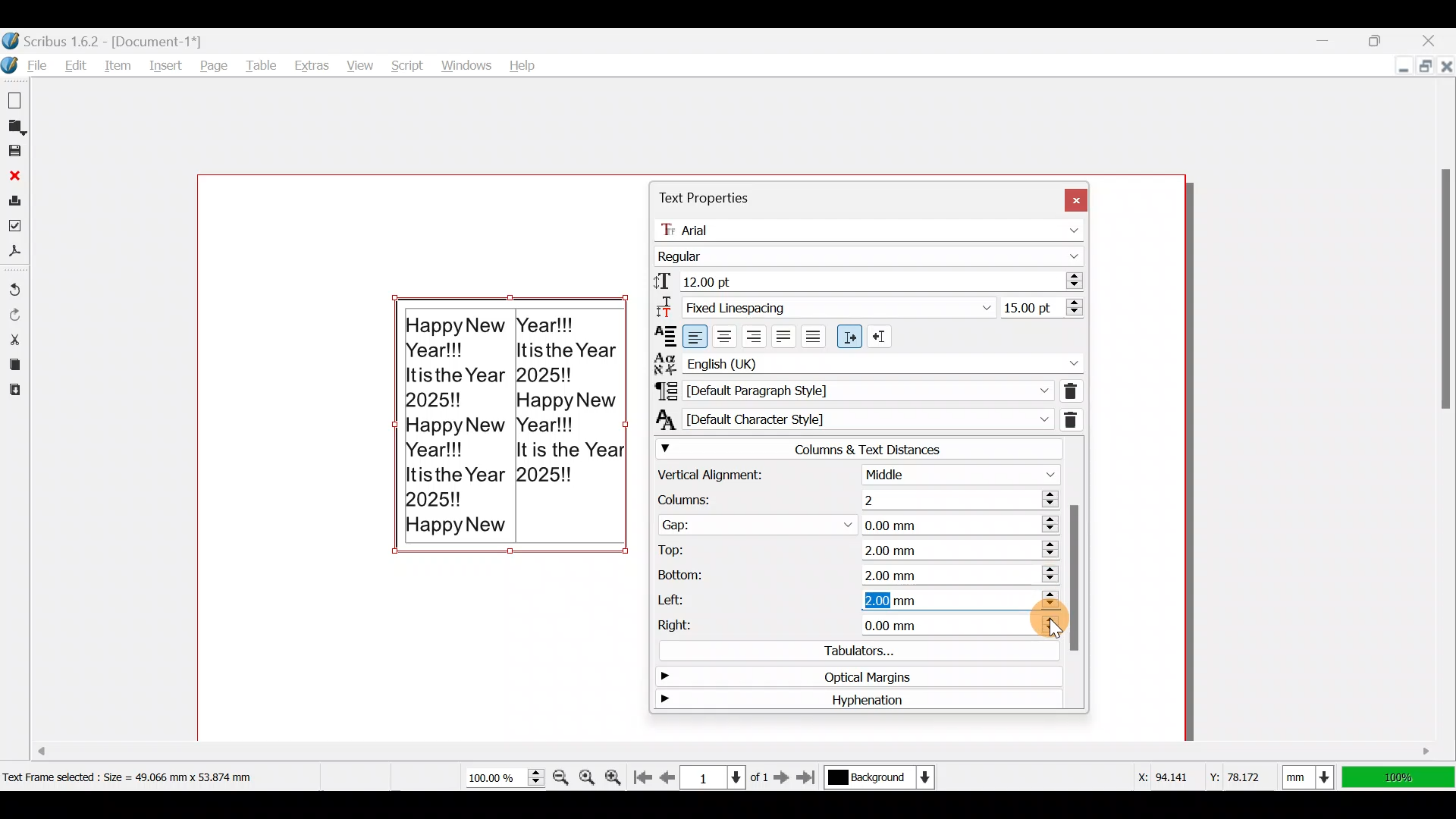  I want to click on Zoom in by the stepping value in tools preferences, so click(618, 773).